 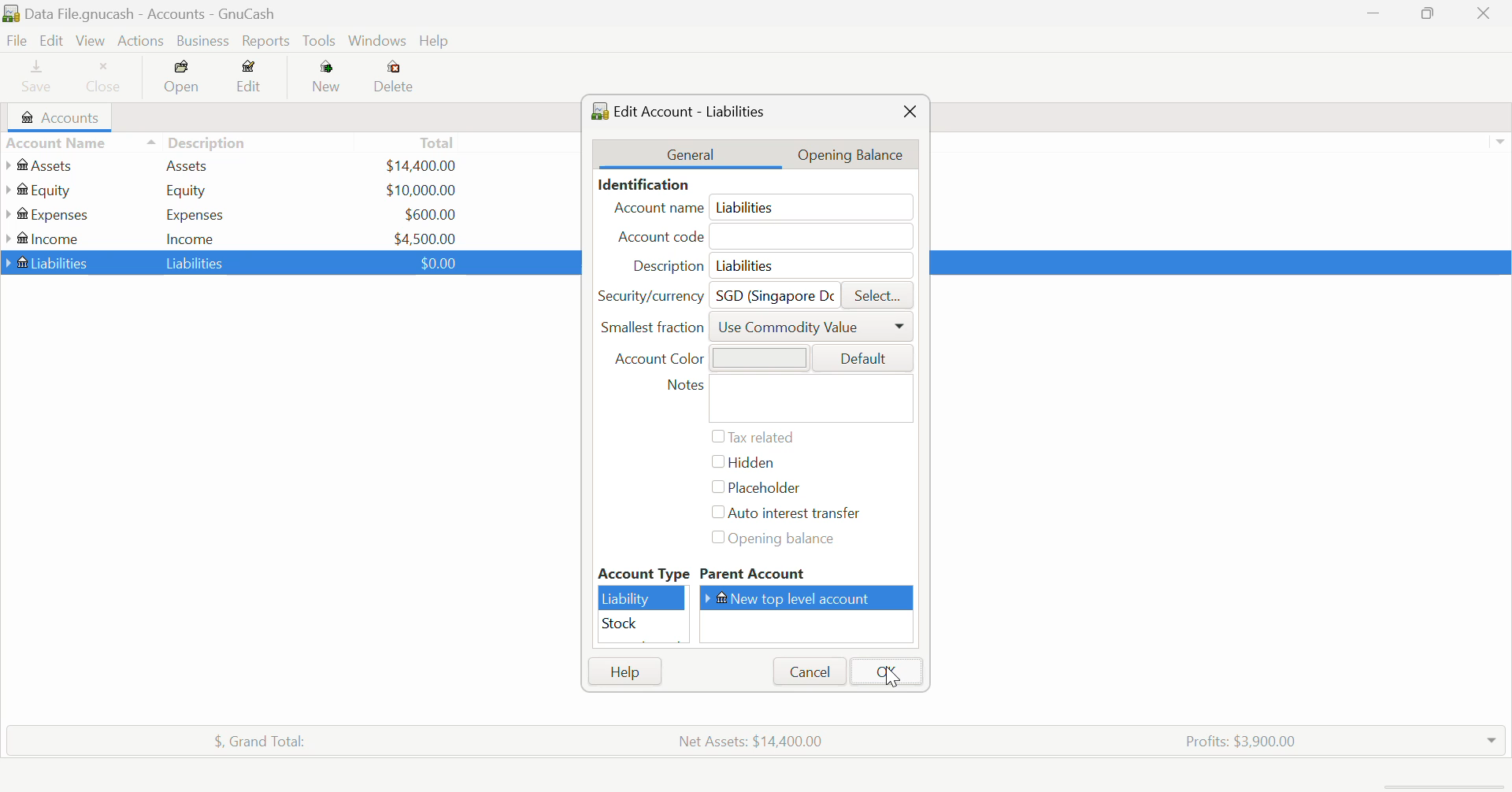 I want to click on Edit, so click(x=50, y=41).